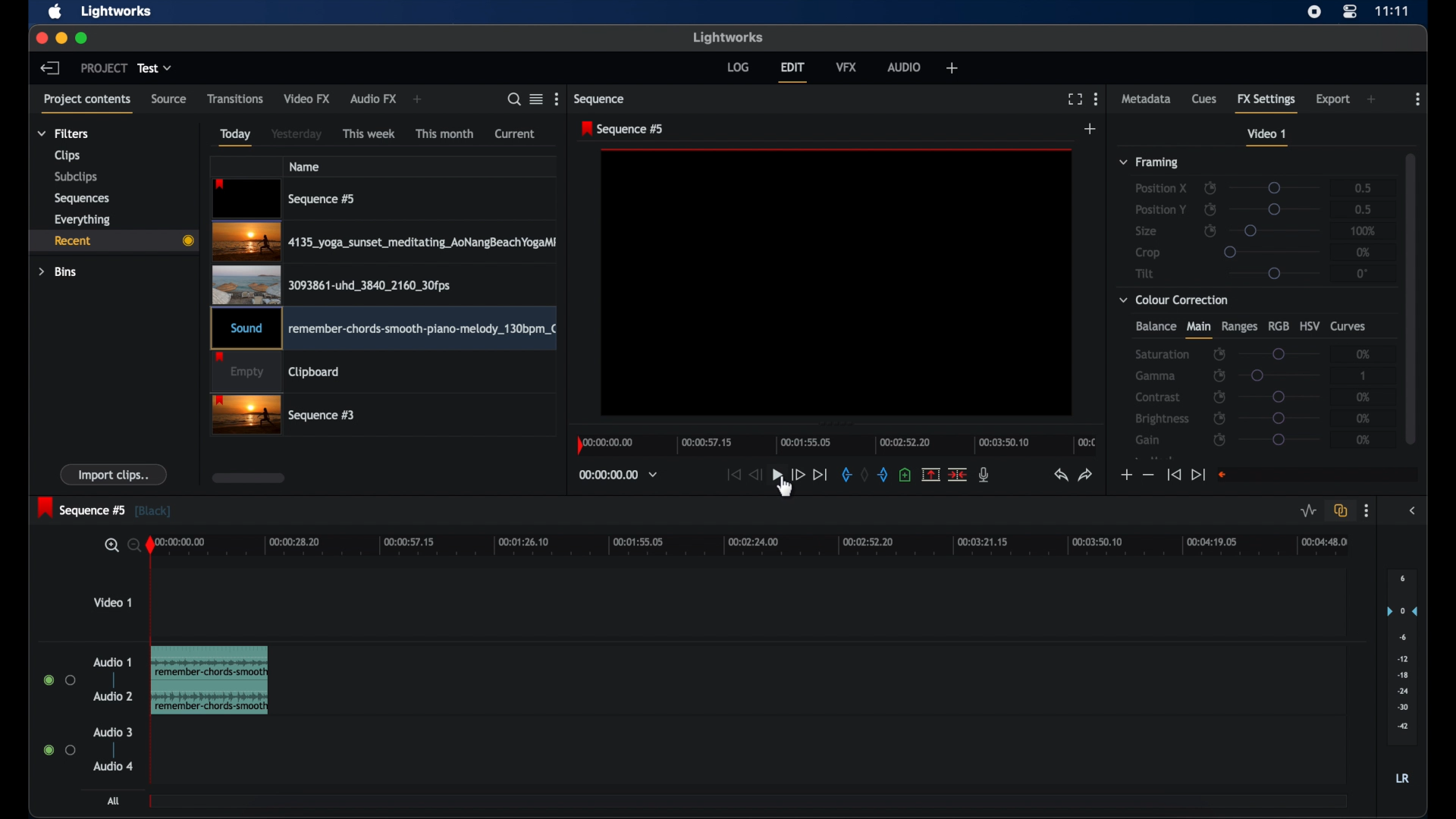 This screenshot has width=1456, height=819. Describe the element at coordinates (1319, 475) in the screenshot. I see `empty field` at that location.